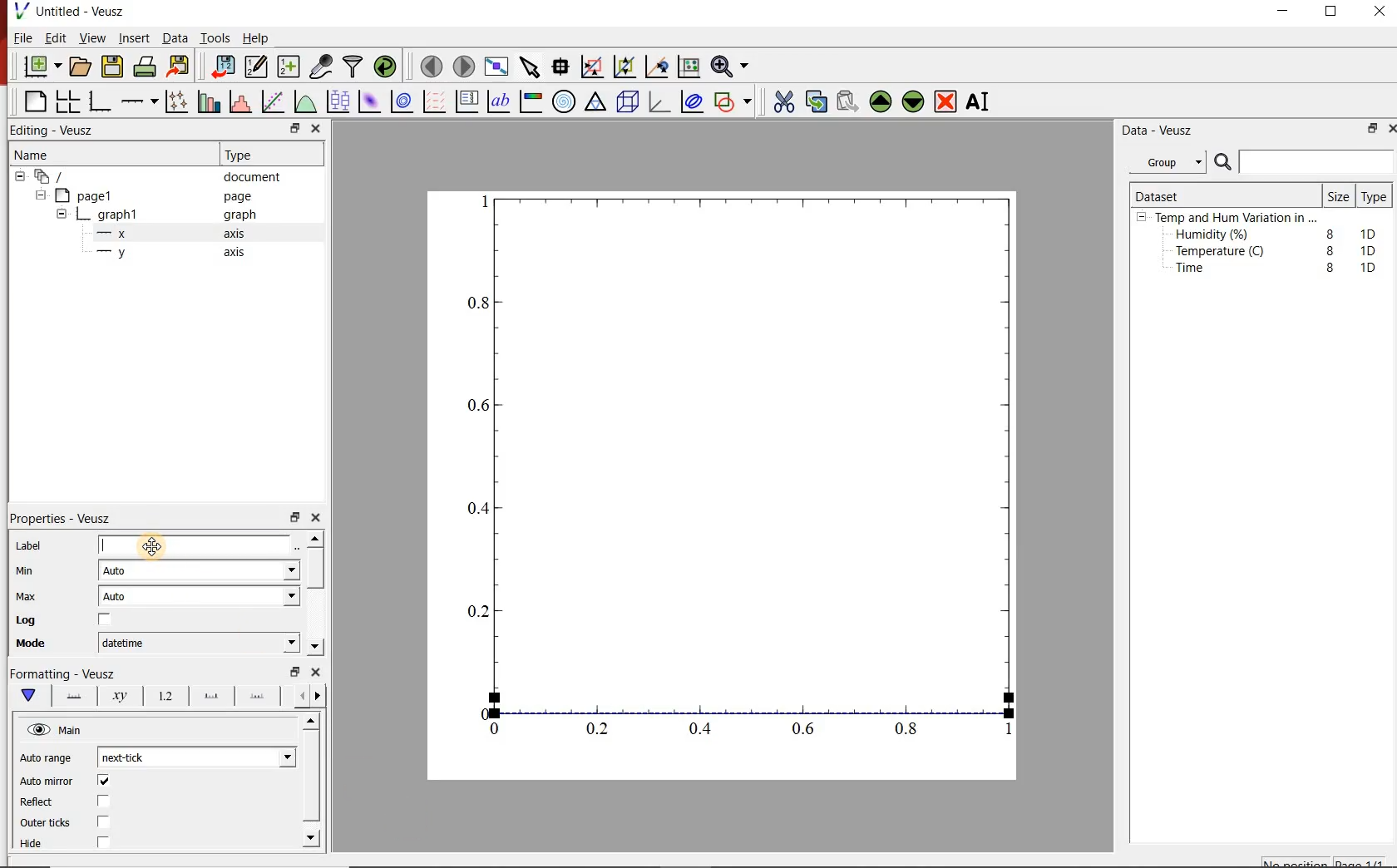 The height and width of the screenshot is (868, 1397). What do you see at coordinates (475, 509) in the screenshot?
I see `0.4` at bounding box center [475, 509].